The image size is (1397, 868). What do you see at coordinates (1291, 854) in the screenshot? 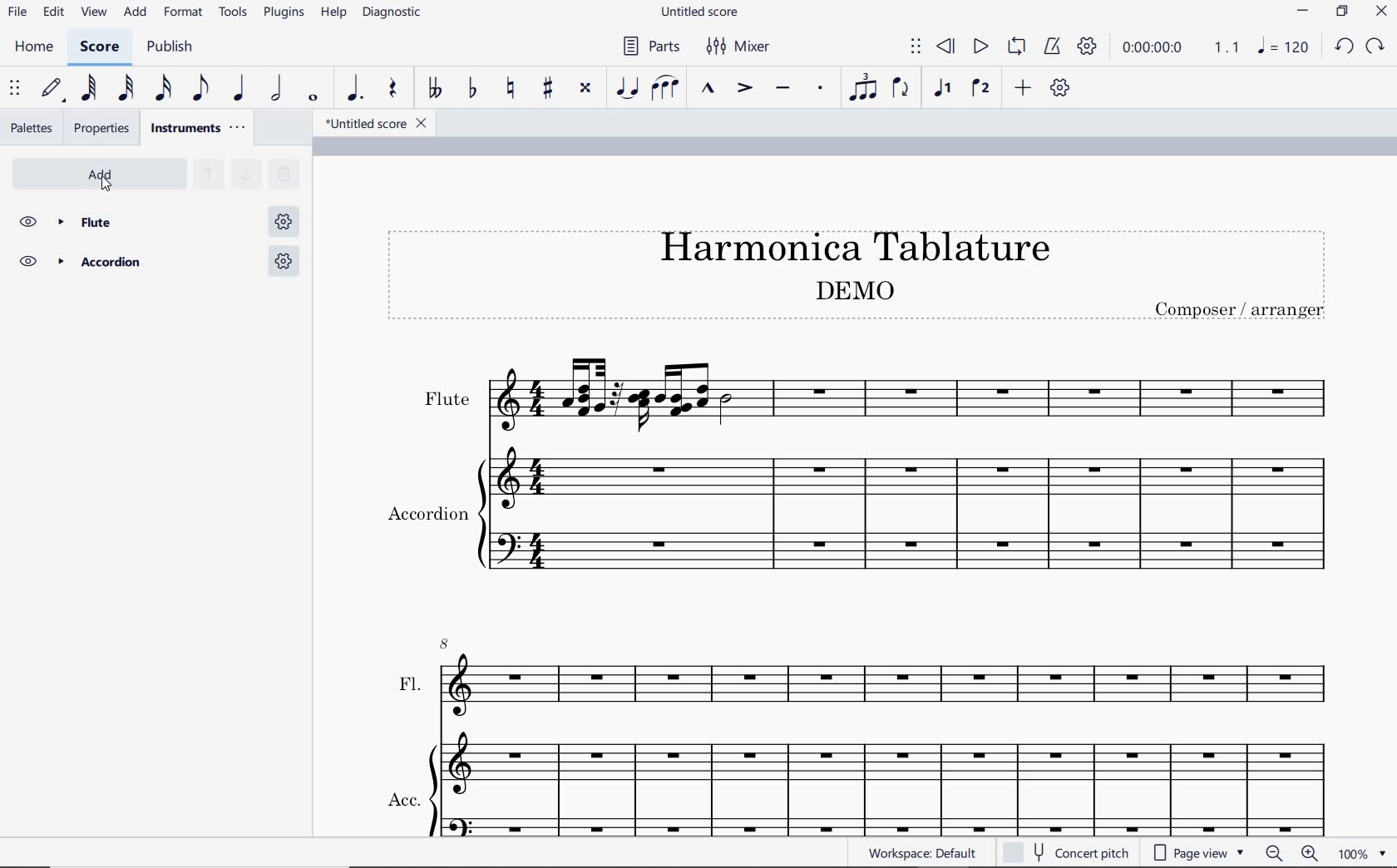
I see `zoom out or zoom in` at bounding box center [1291, 854].